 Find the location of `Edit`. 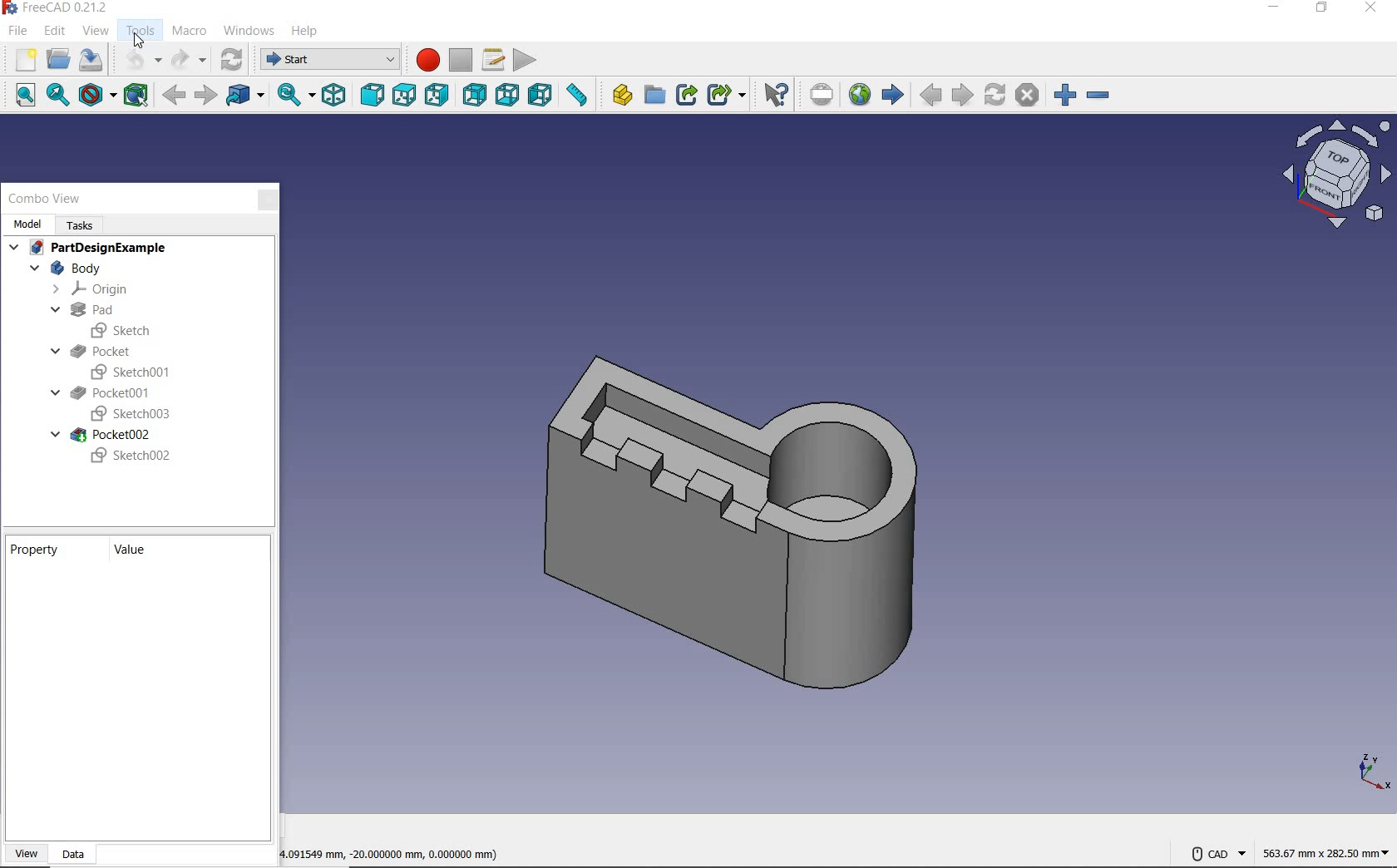

Edit is located at coordinates (57, 30).